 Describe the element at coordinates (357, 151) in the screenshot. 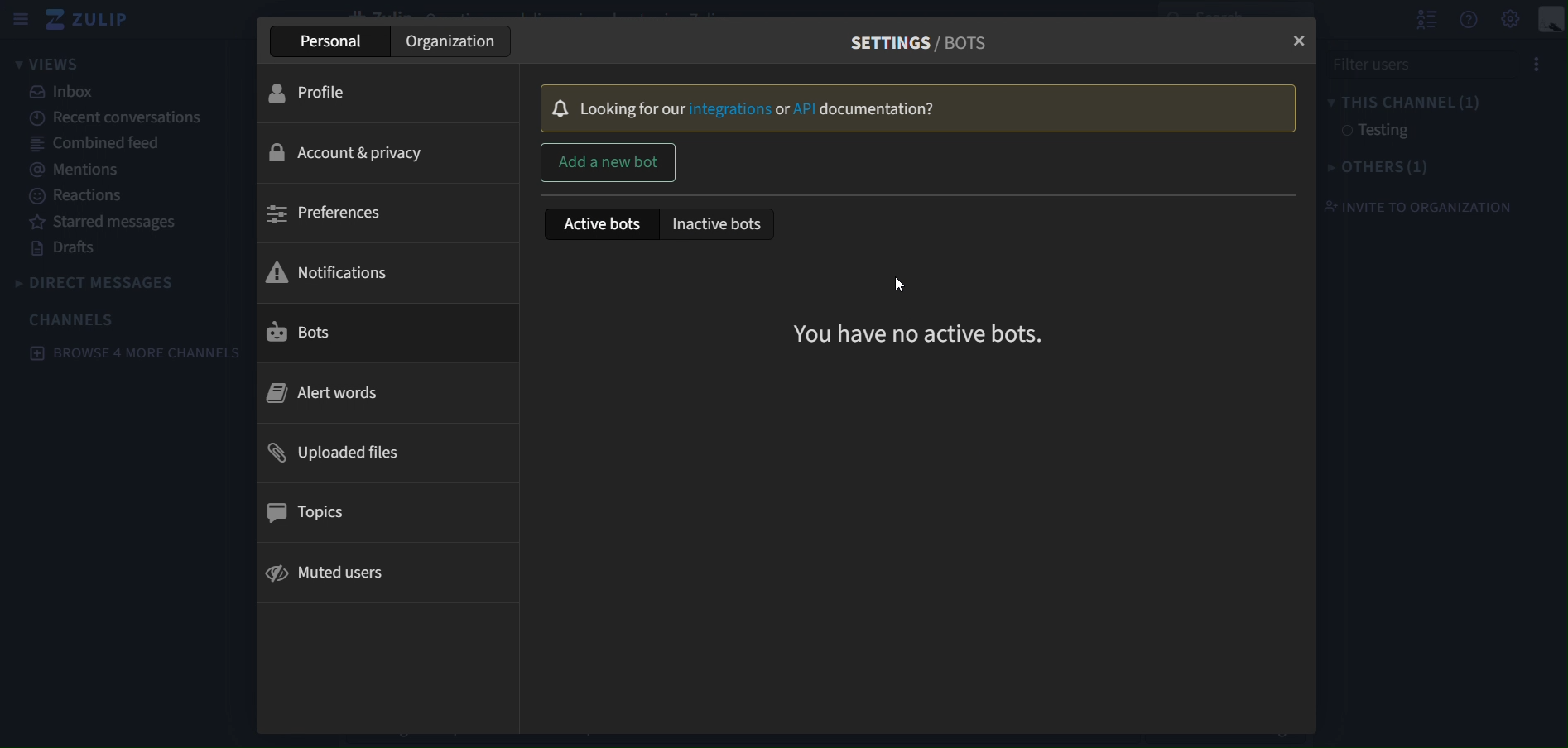

I see `account & privacy` at that location.